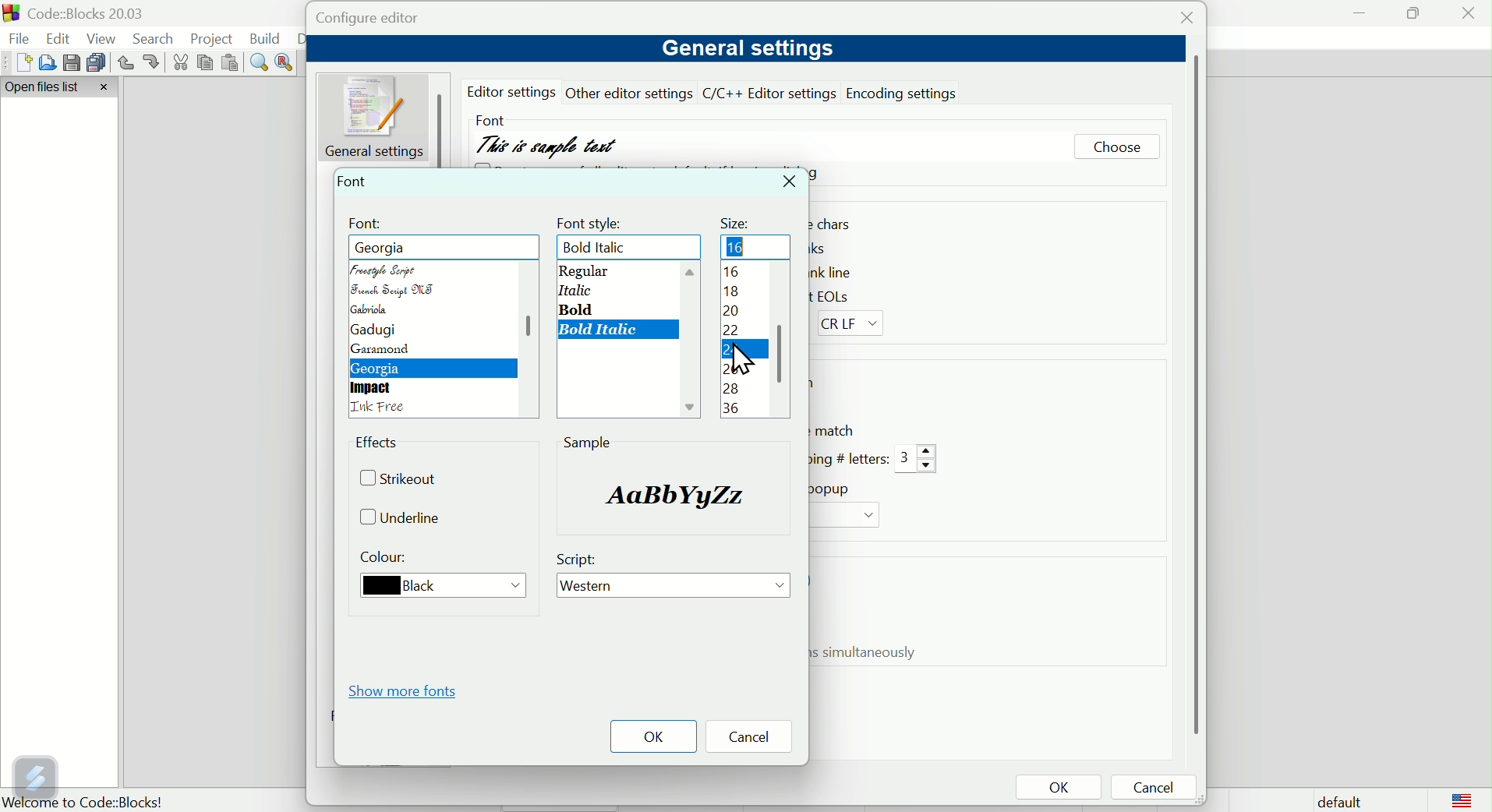  What do you see at coordinates (582, 271) in the screenshot?
I see `Regular` at bounding box center [582, 271].